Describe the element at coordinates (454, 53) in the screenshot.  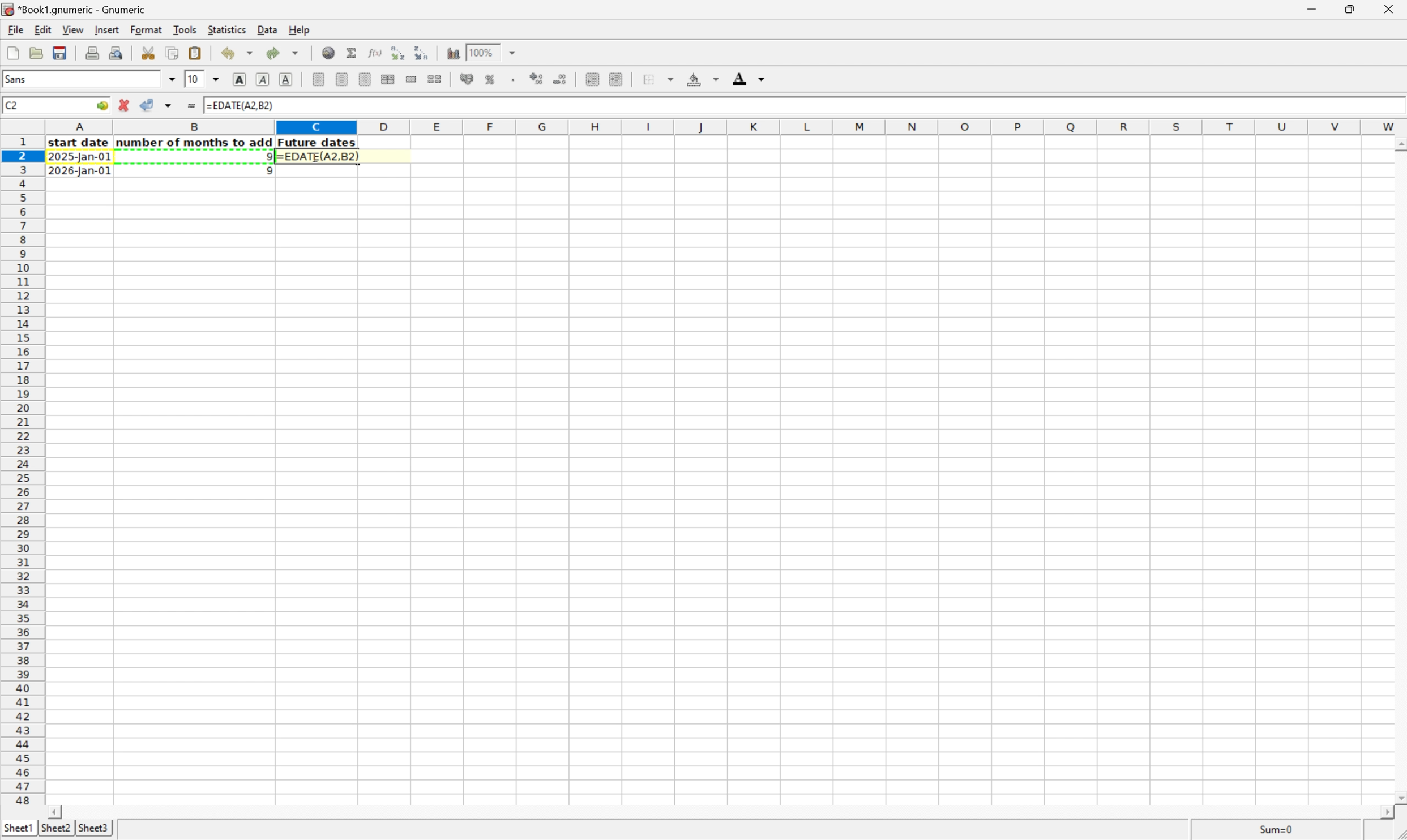
I see `Insert a chart` at that location.